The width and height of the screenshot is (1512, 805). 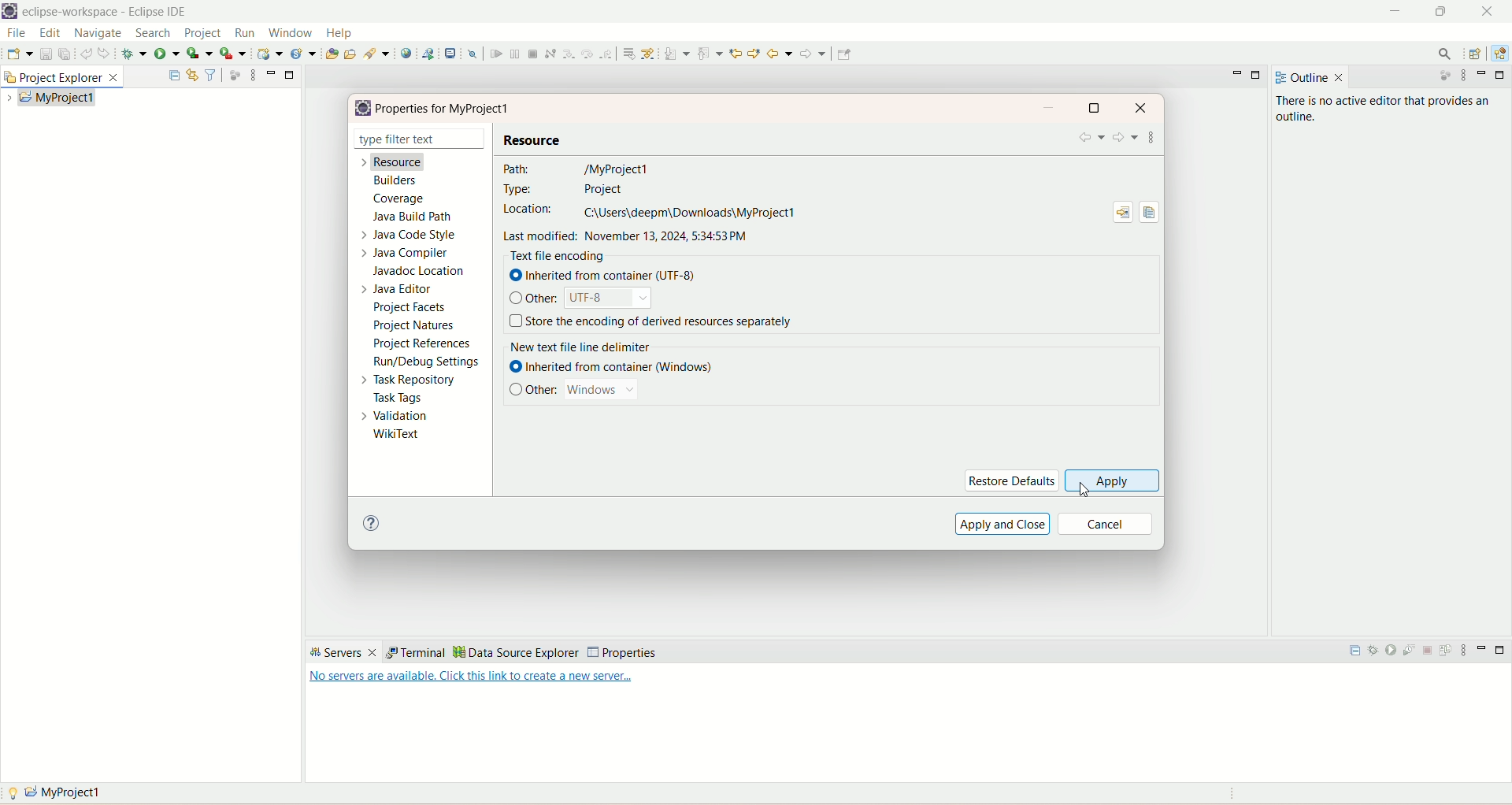 I want to click on apply and close, so click(x=1001, y=523).